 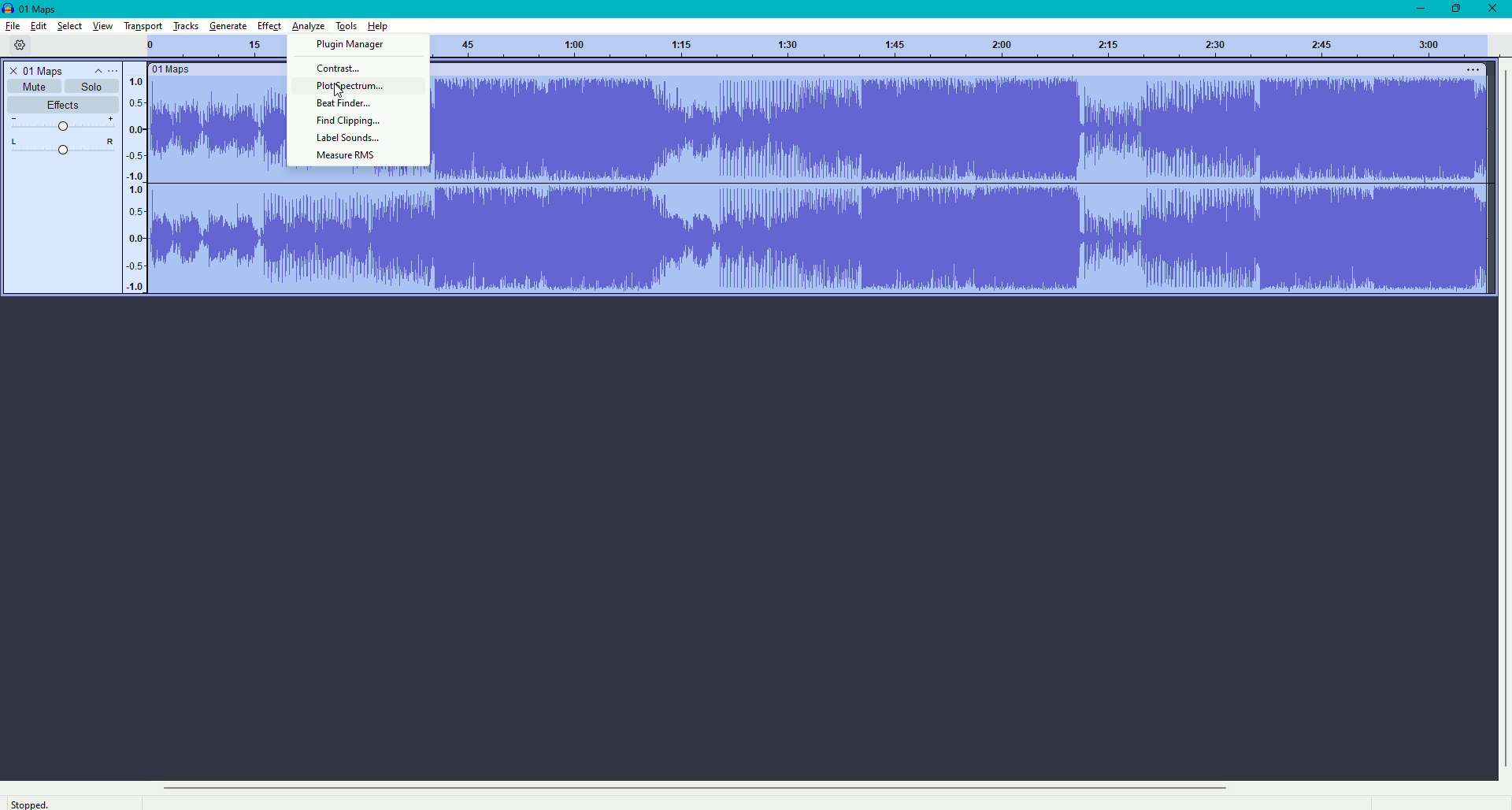 What do you see at coordinates (217, 178) in the screenshot?
I see `sound track` at bounding box center [217, 178].